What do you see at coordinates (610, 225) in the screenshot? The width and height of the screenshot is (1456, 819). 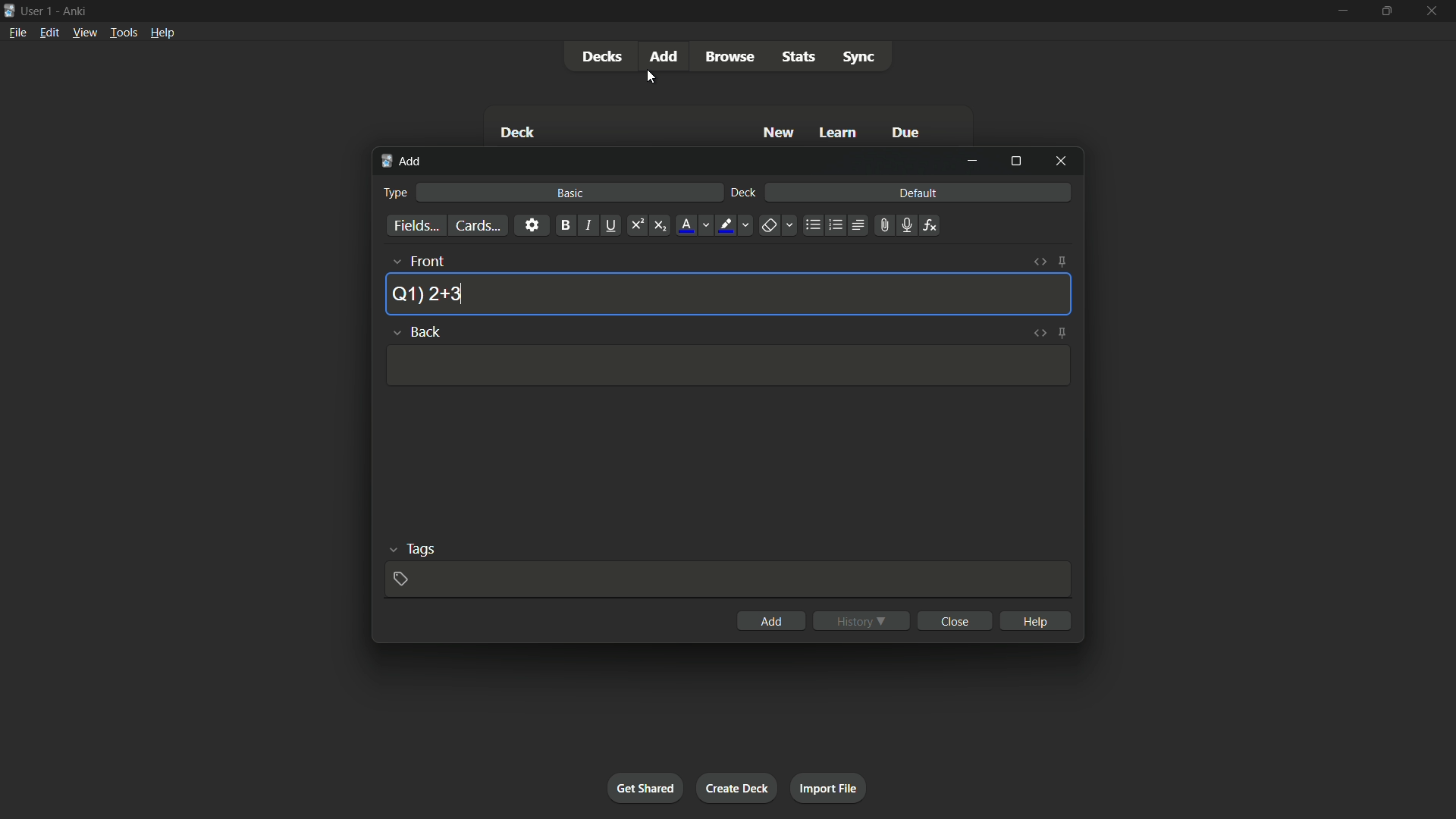 I see `underline` at bounding box center [610, 225].